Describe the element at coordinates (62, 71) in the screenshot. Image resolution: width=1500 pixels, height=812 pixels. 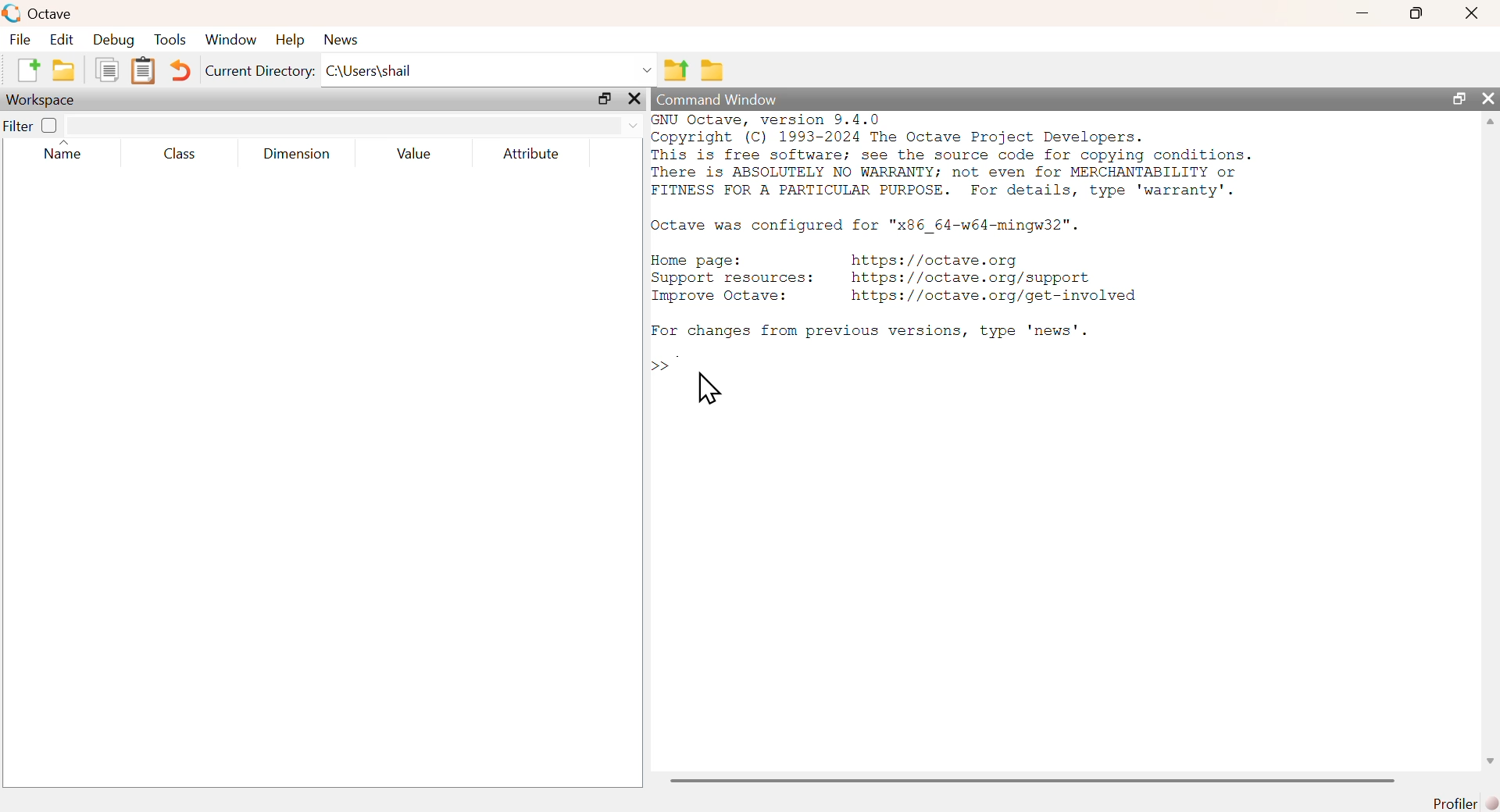
I see `open an existing file in editor` at that location.